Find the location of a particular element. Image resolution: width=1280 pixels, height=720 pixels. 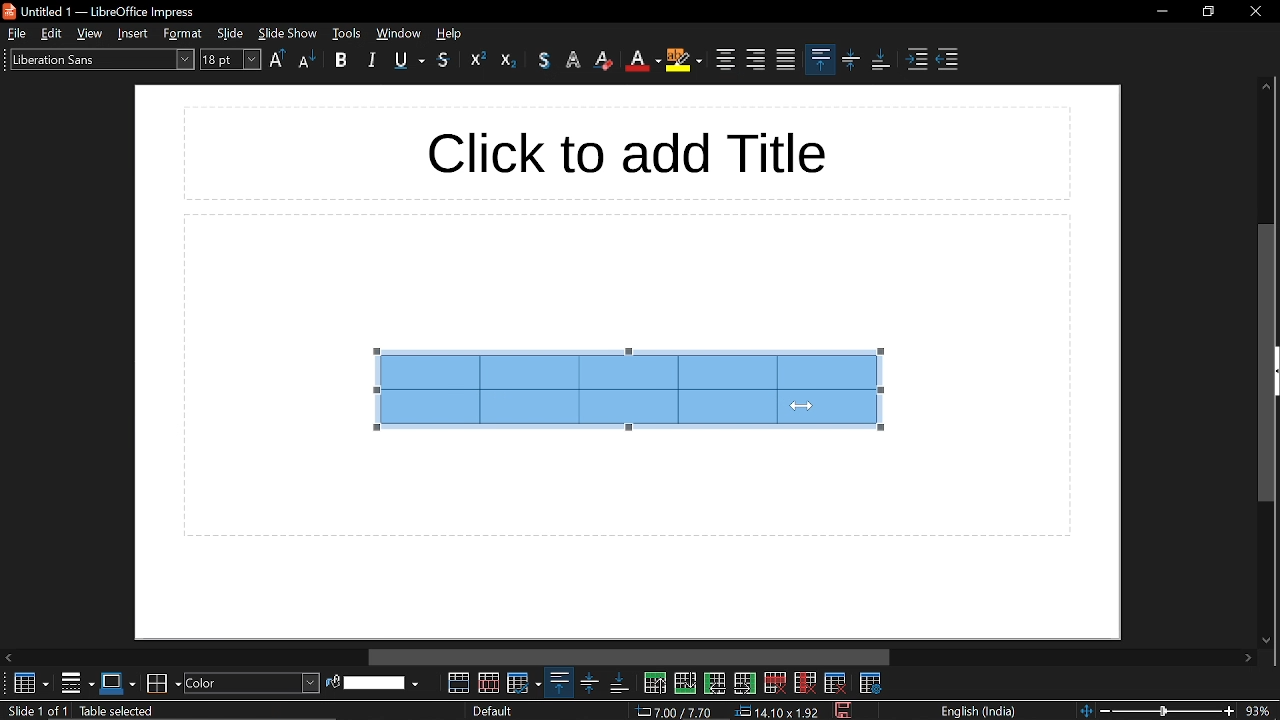

cursor co-ordinate is located at coordinates (676, 712).